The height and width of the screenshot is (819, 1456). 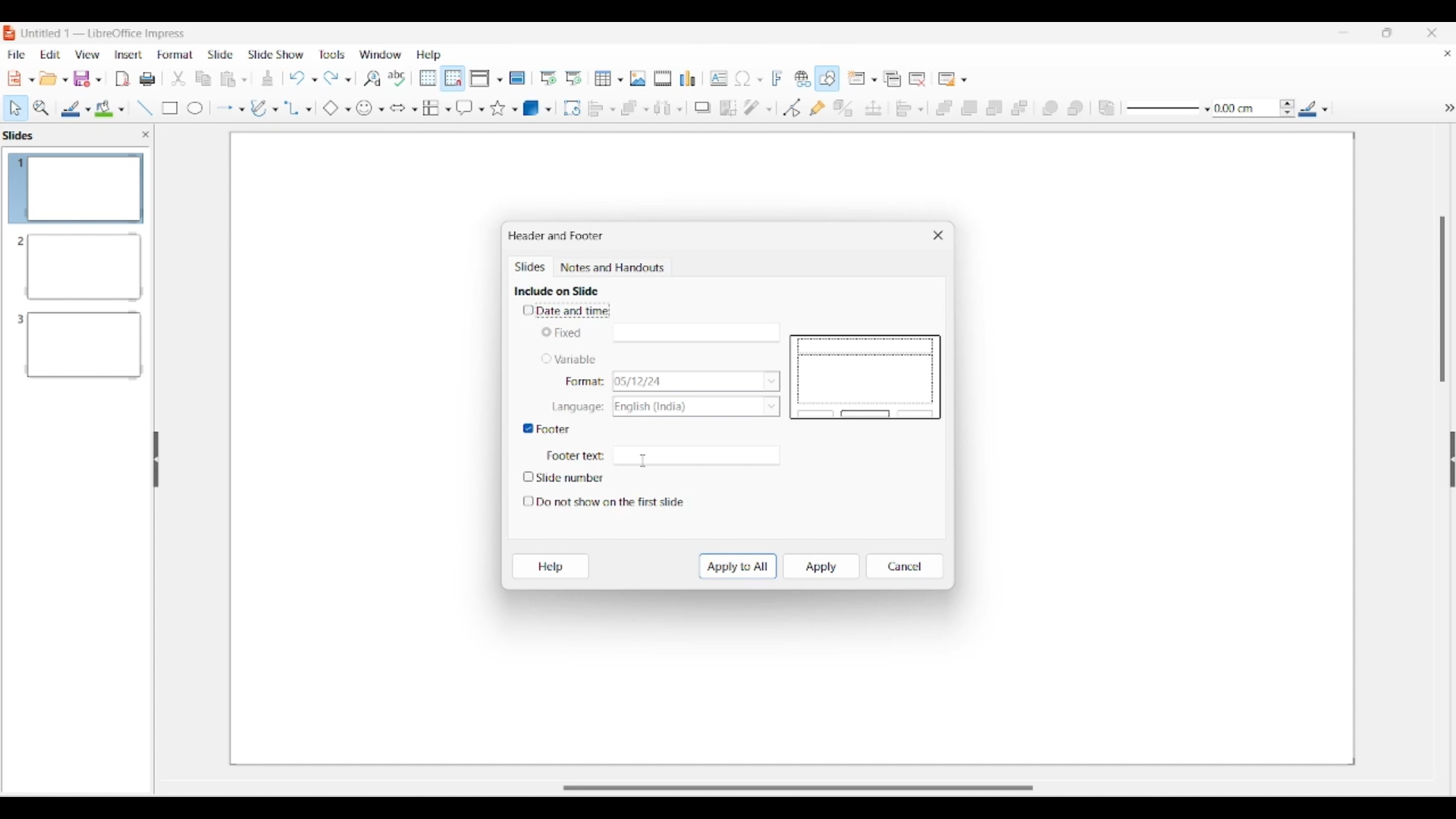 What do you see at coordinates (108, 106) in the screenshot?
I see `Color` at bounding box center [108, 106].